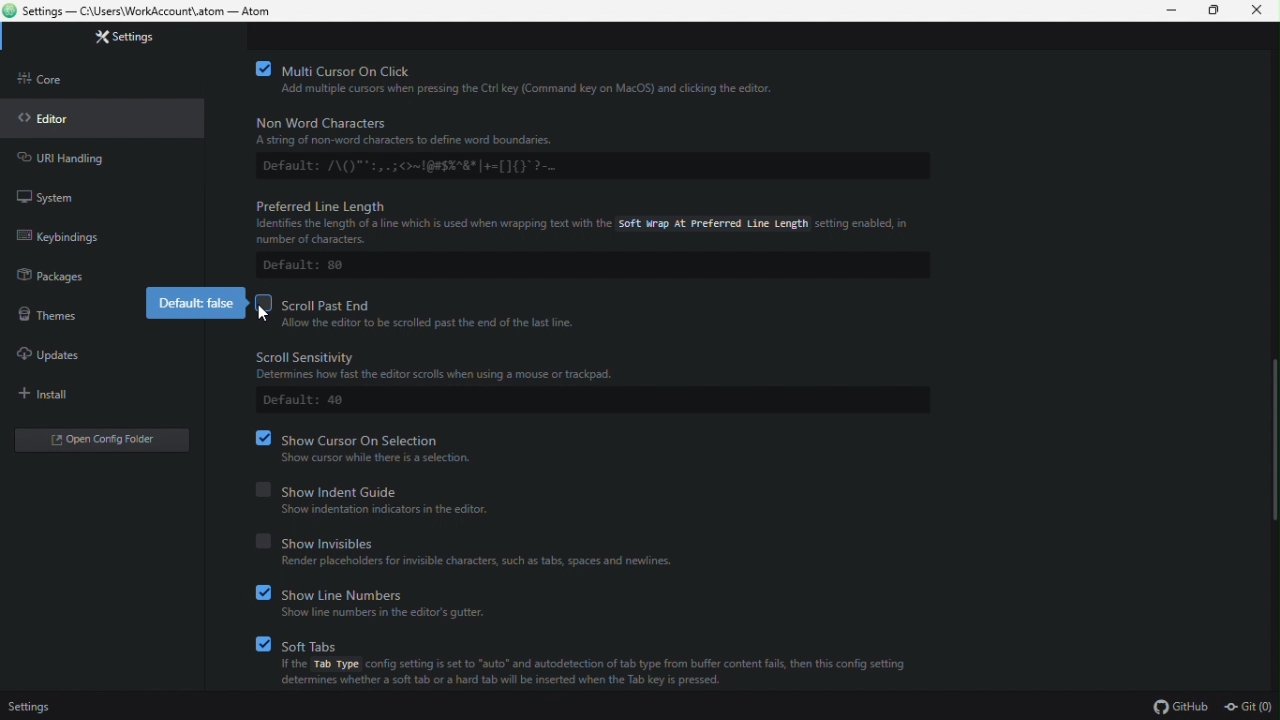 The image size is (1280, 720). I want to click on updates, so click(59, 356).